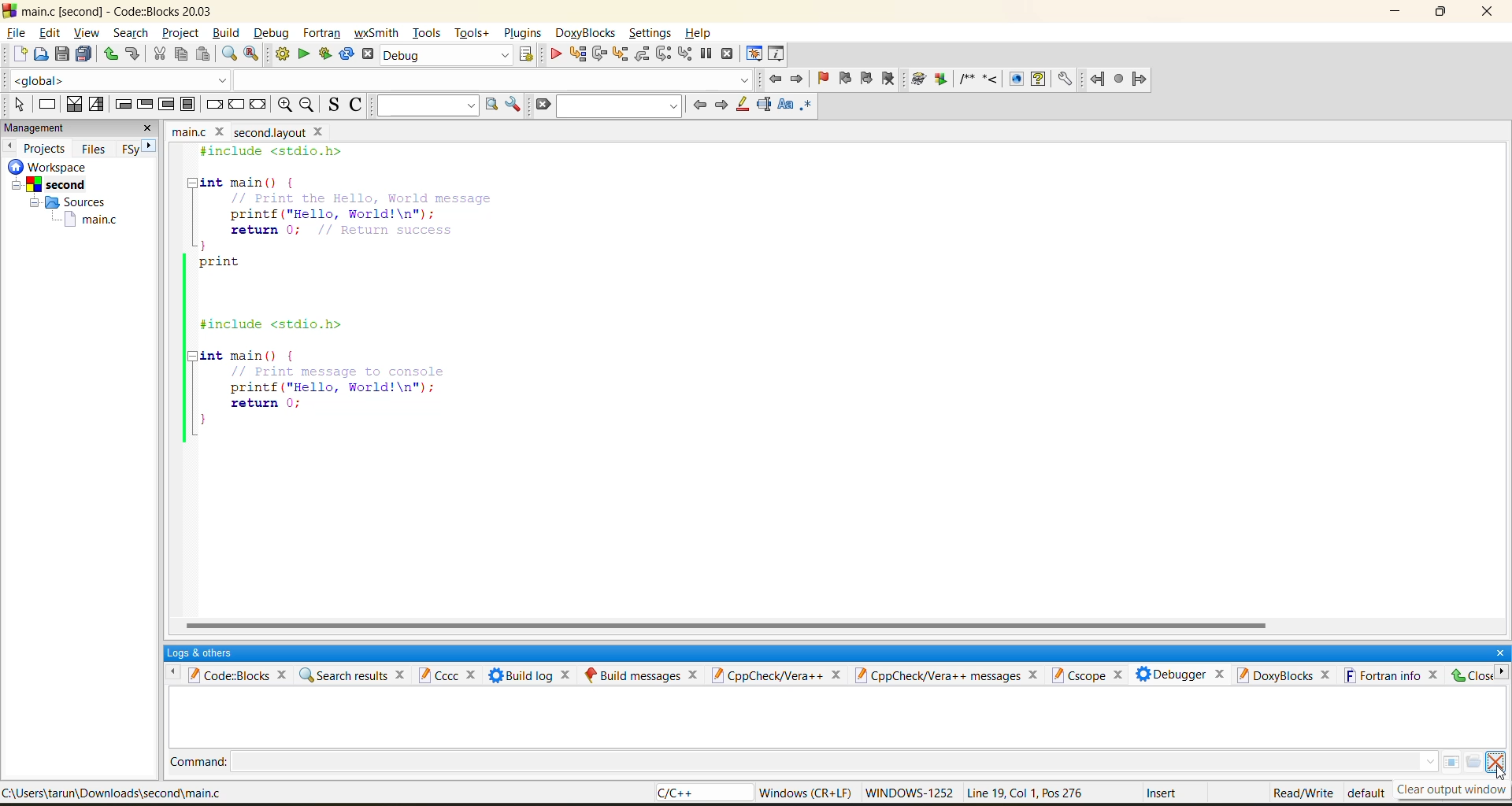  I want to click on exit condition loop, so click(143, 105).